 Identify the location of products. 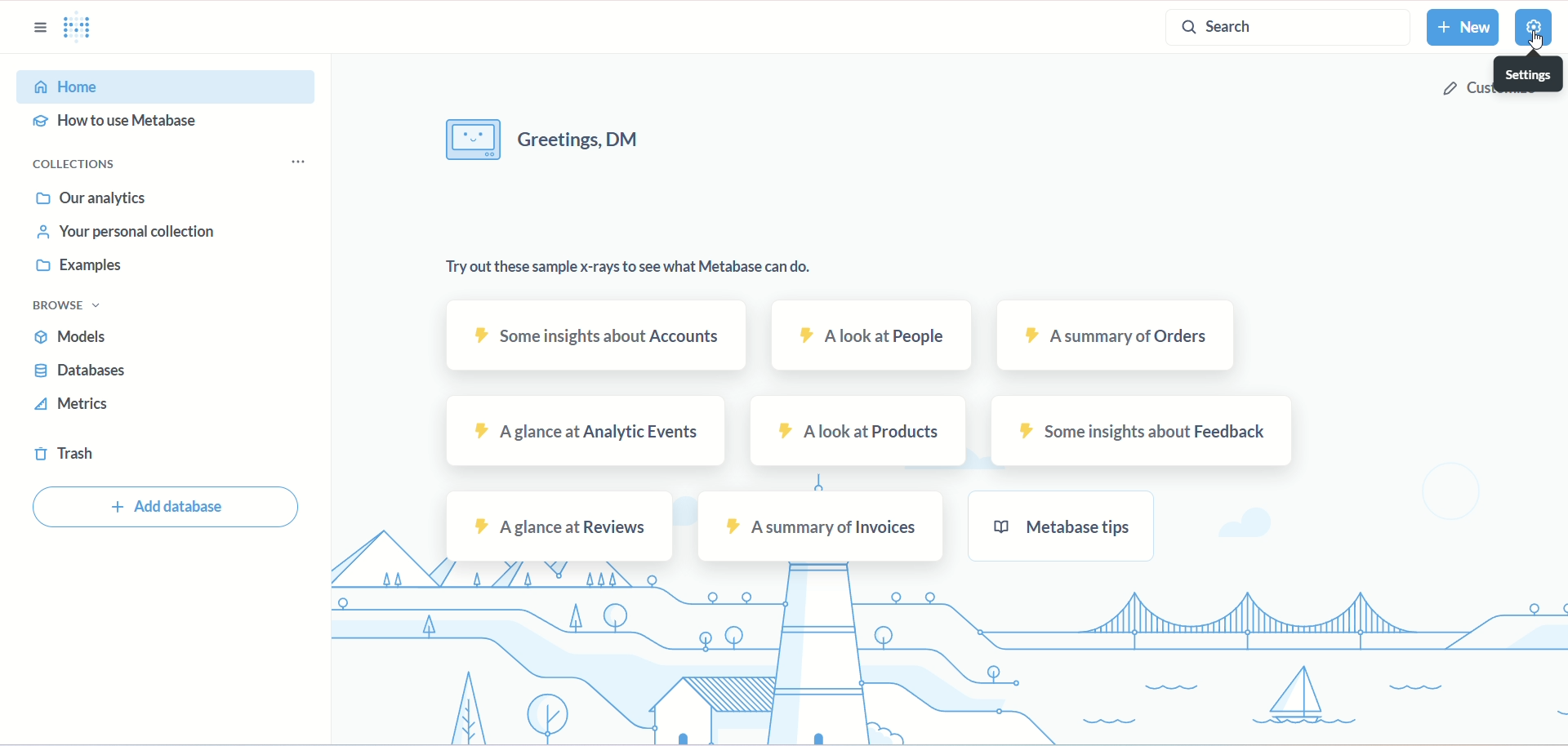
(861, 431).